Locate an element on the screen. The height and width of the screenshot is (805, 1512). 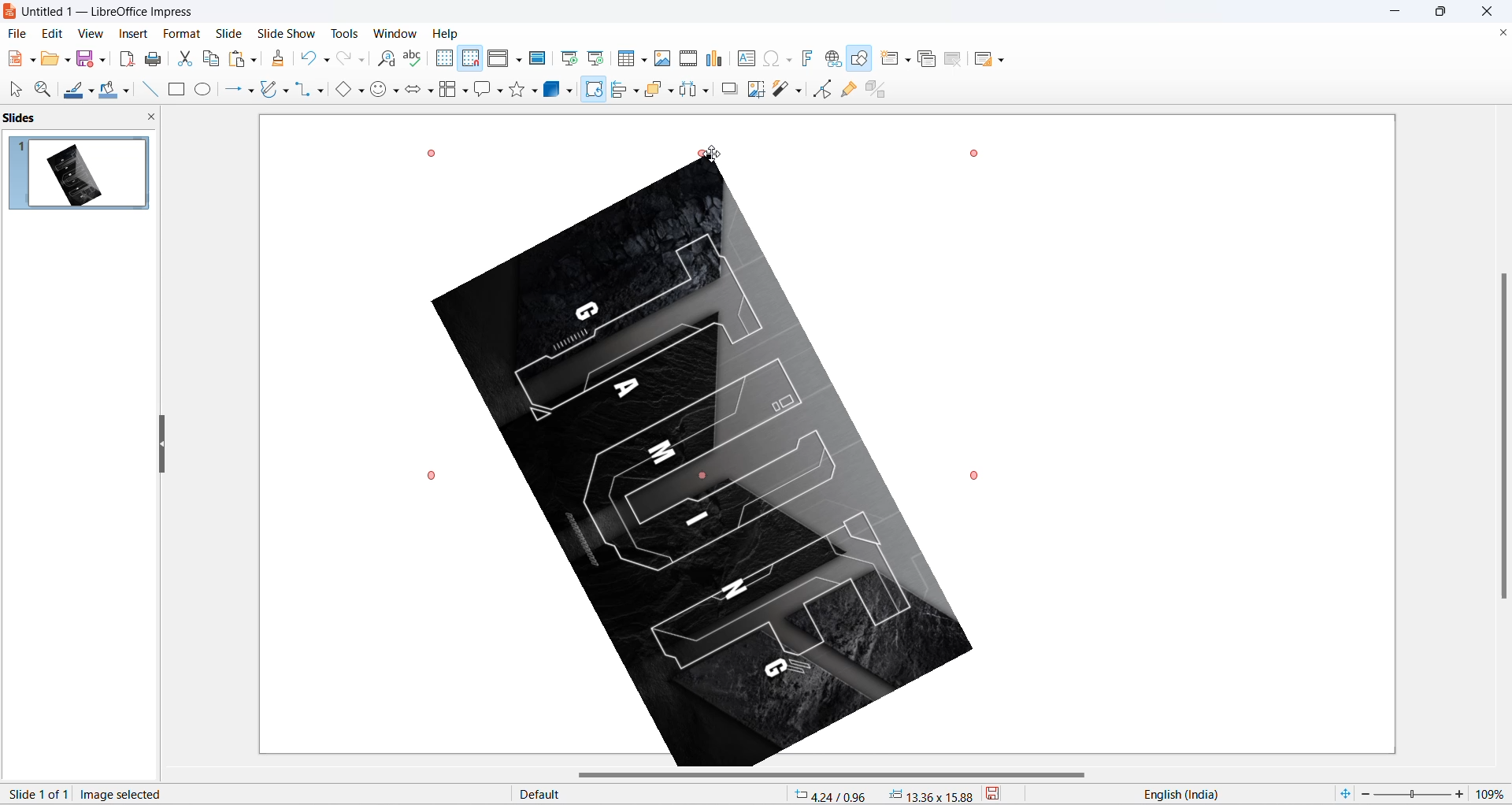
insert text is located at coordinates (744, 58).